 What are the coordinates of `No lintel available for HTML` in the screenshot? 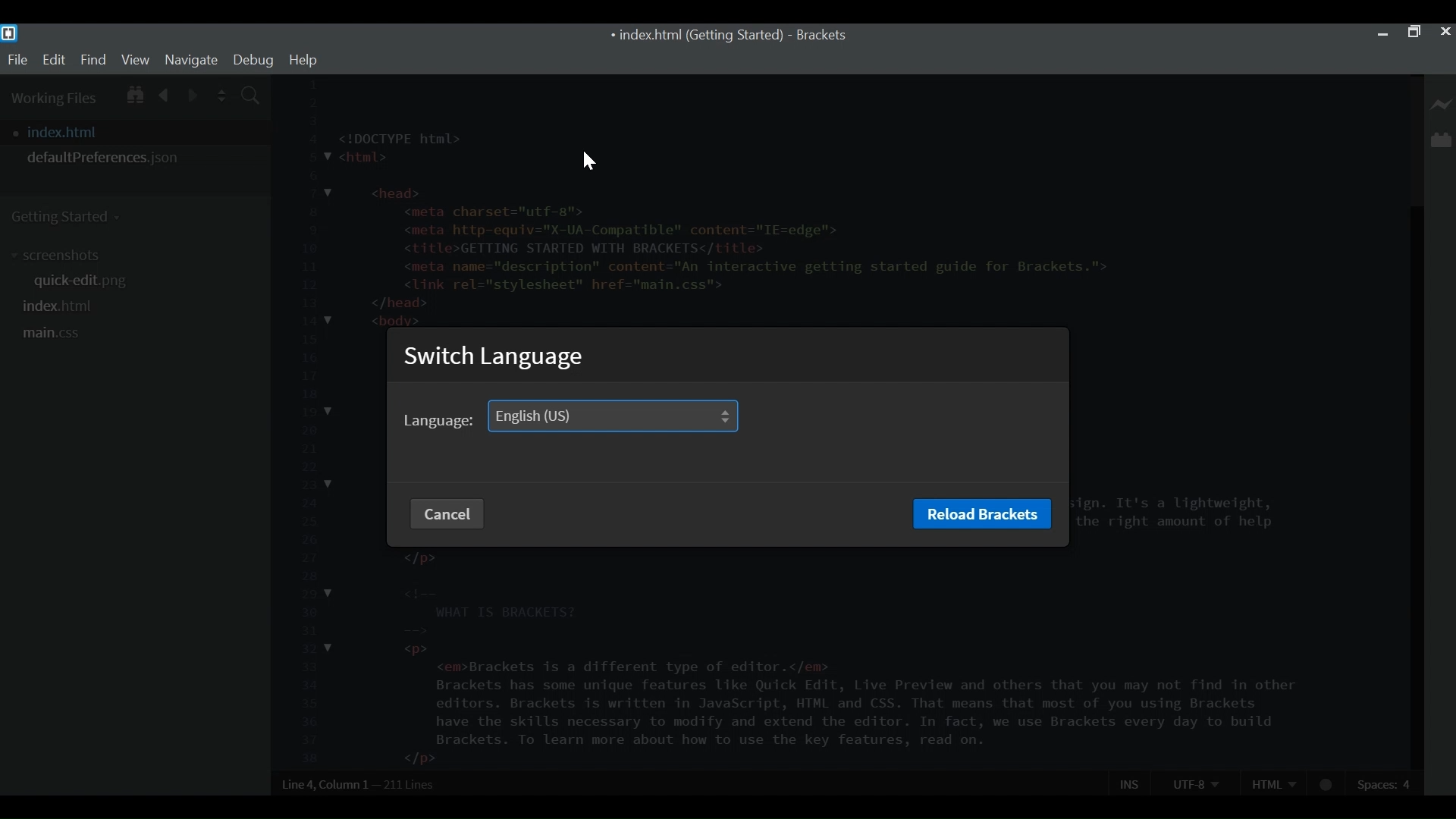 It's located at (1327, 785).